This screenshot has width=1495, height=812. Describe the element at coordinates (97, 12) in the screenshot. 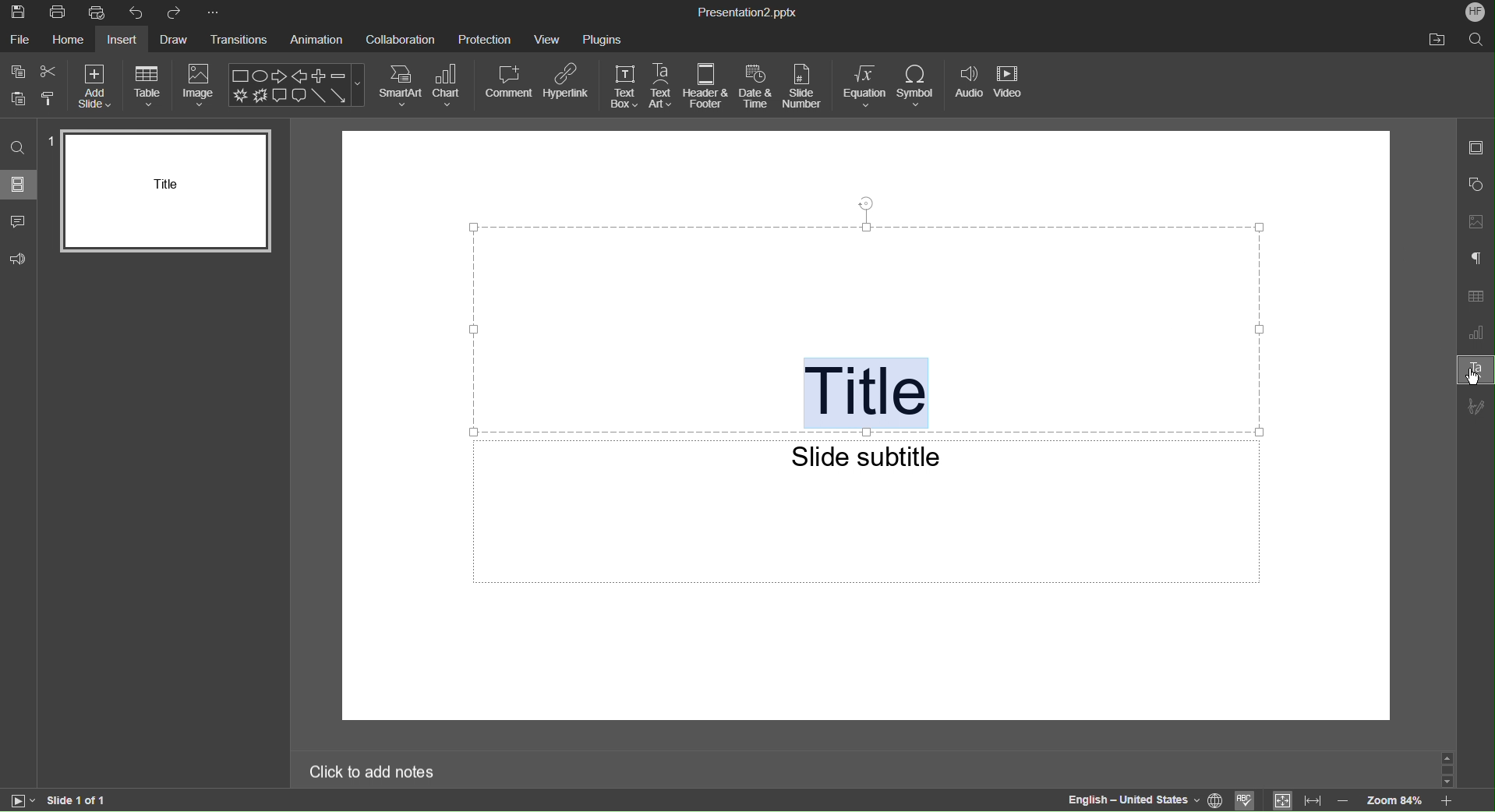

I see `Quick Print` at that location.